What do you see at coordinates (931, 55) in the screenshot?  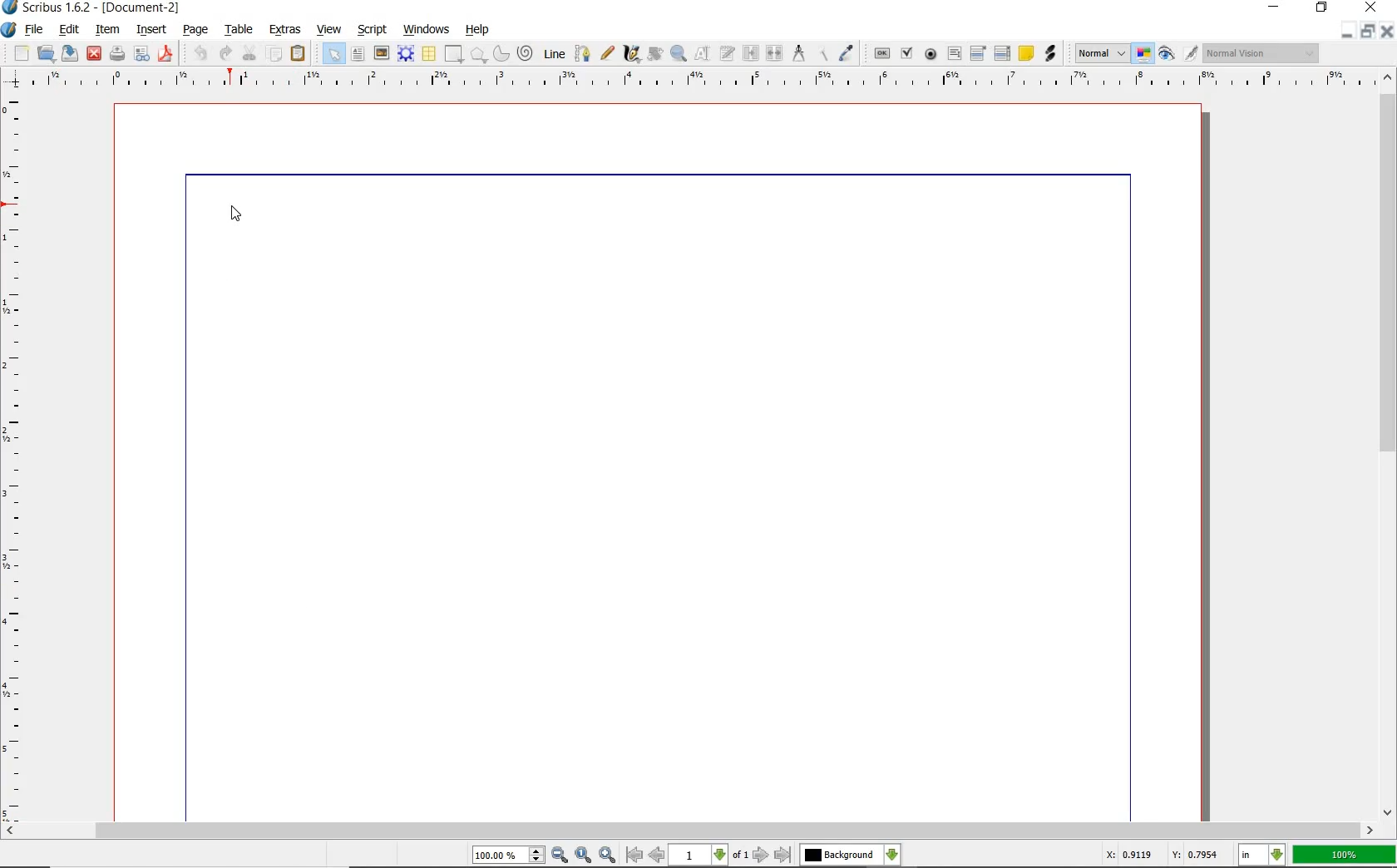 I see `pdf radio button` at bounding box center [931, 55].